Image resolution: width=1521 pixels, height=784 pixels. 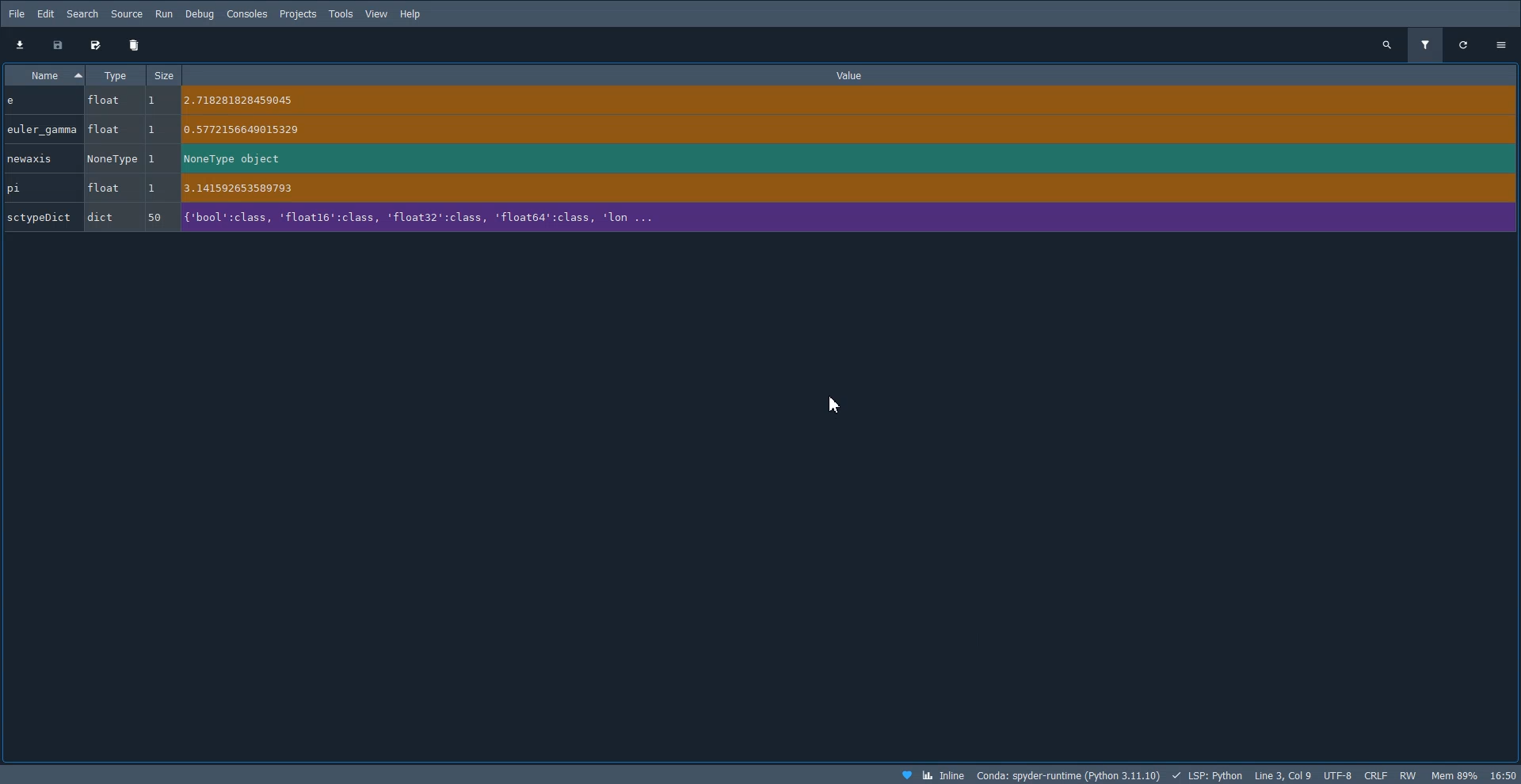 I want to click on Debug, so click(x=200, y=13).